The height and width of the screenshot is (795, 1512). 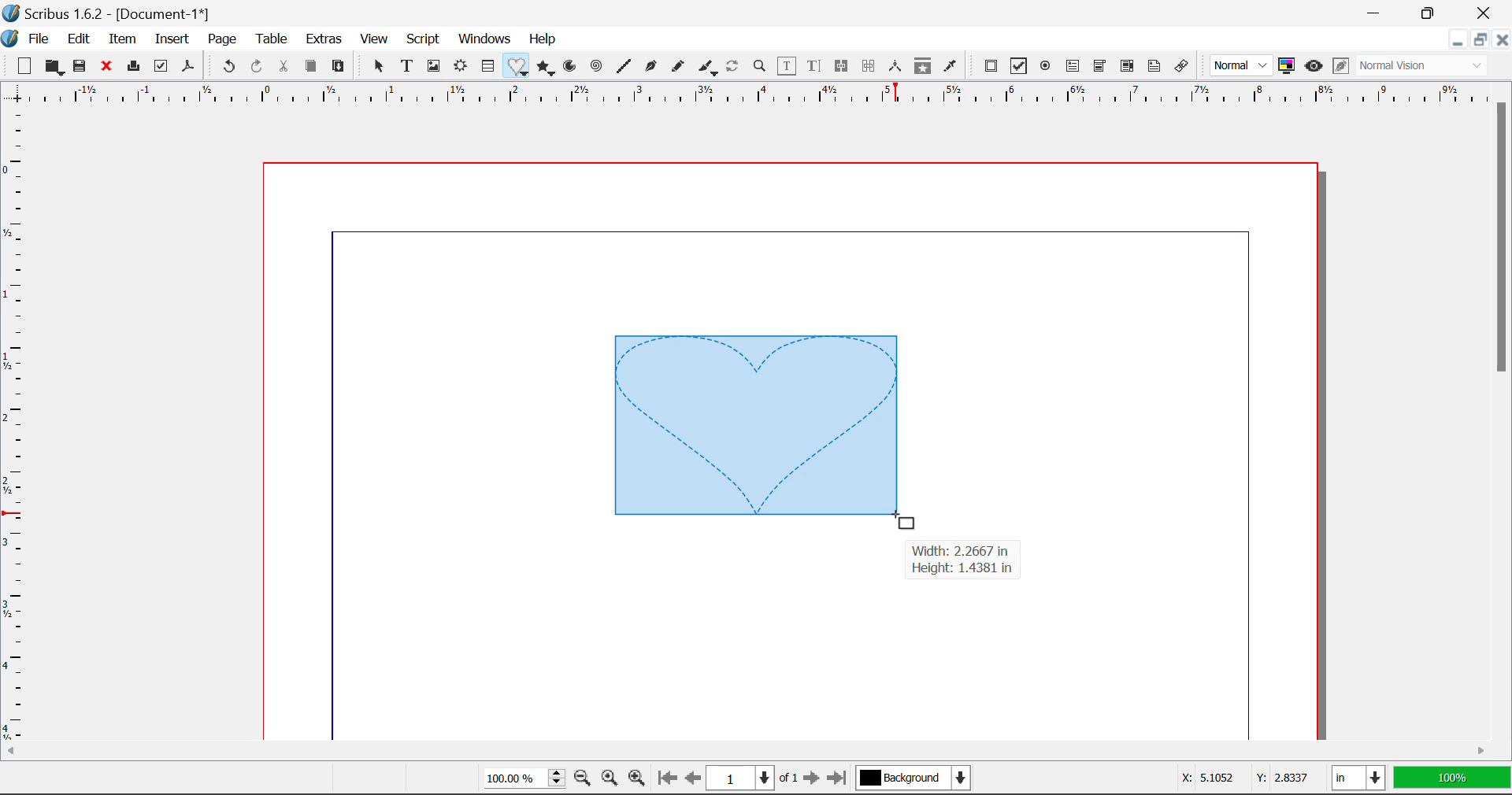 What do you see at coordinates (422, 41) in the screenshot?
I see `Script` at bounding box center [422, 41].